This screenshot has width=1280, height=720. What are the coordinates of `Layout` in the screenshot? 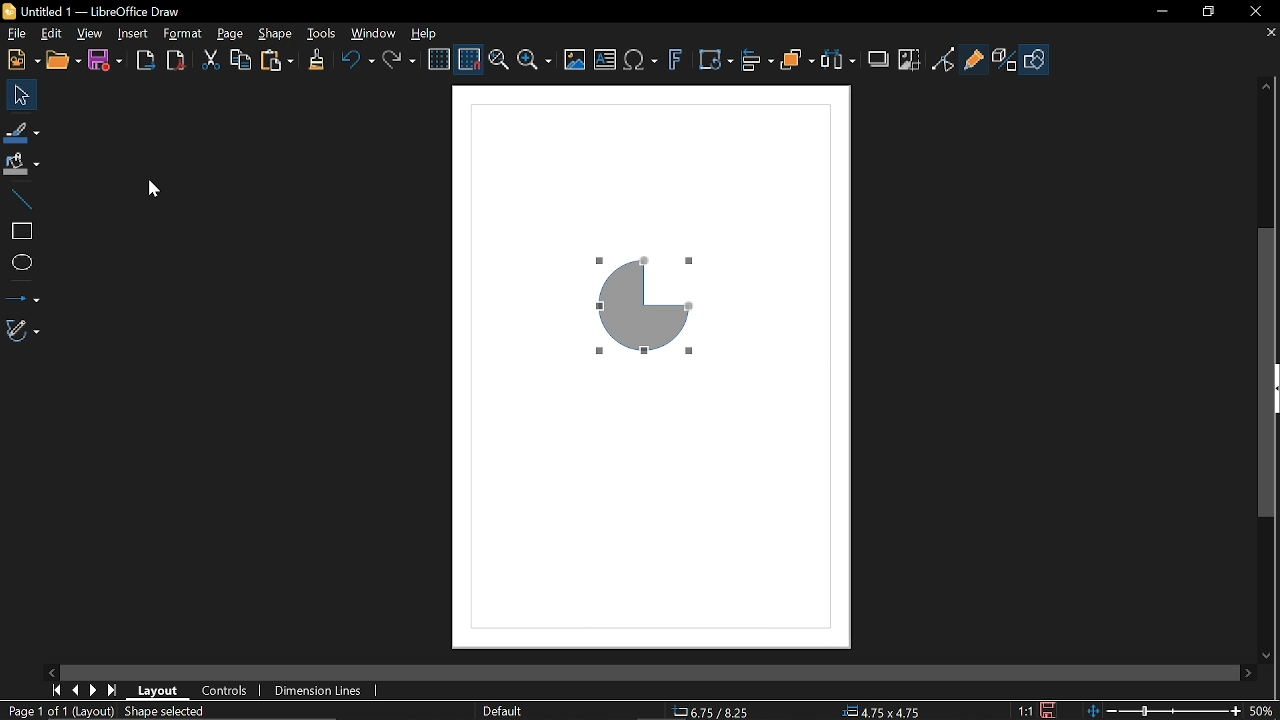 It's located at (159, 692).